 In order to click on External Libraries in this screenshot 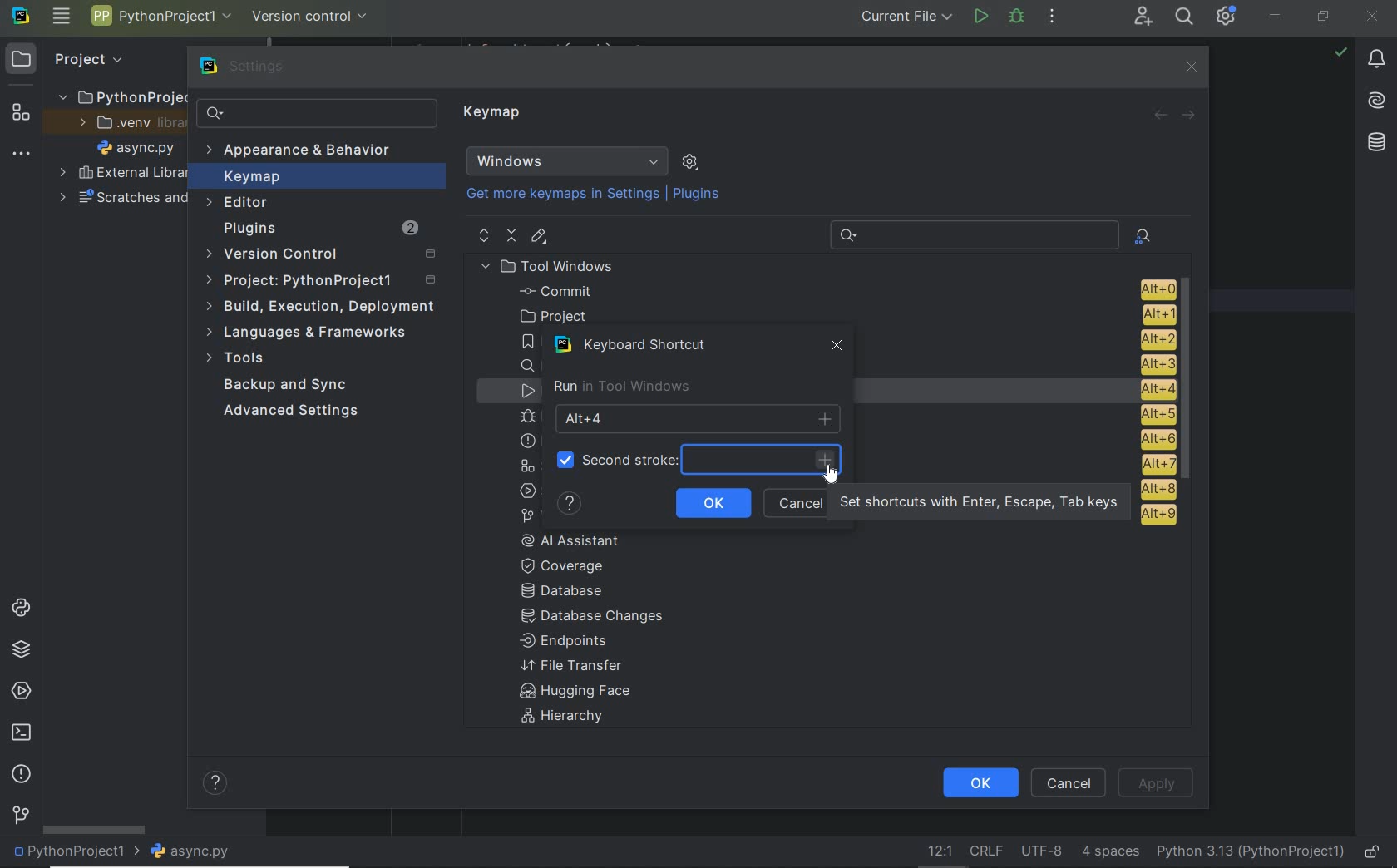, I will do `click(119, 174)`.